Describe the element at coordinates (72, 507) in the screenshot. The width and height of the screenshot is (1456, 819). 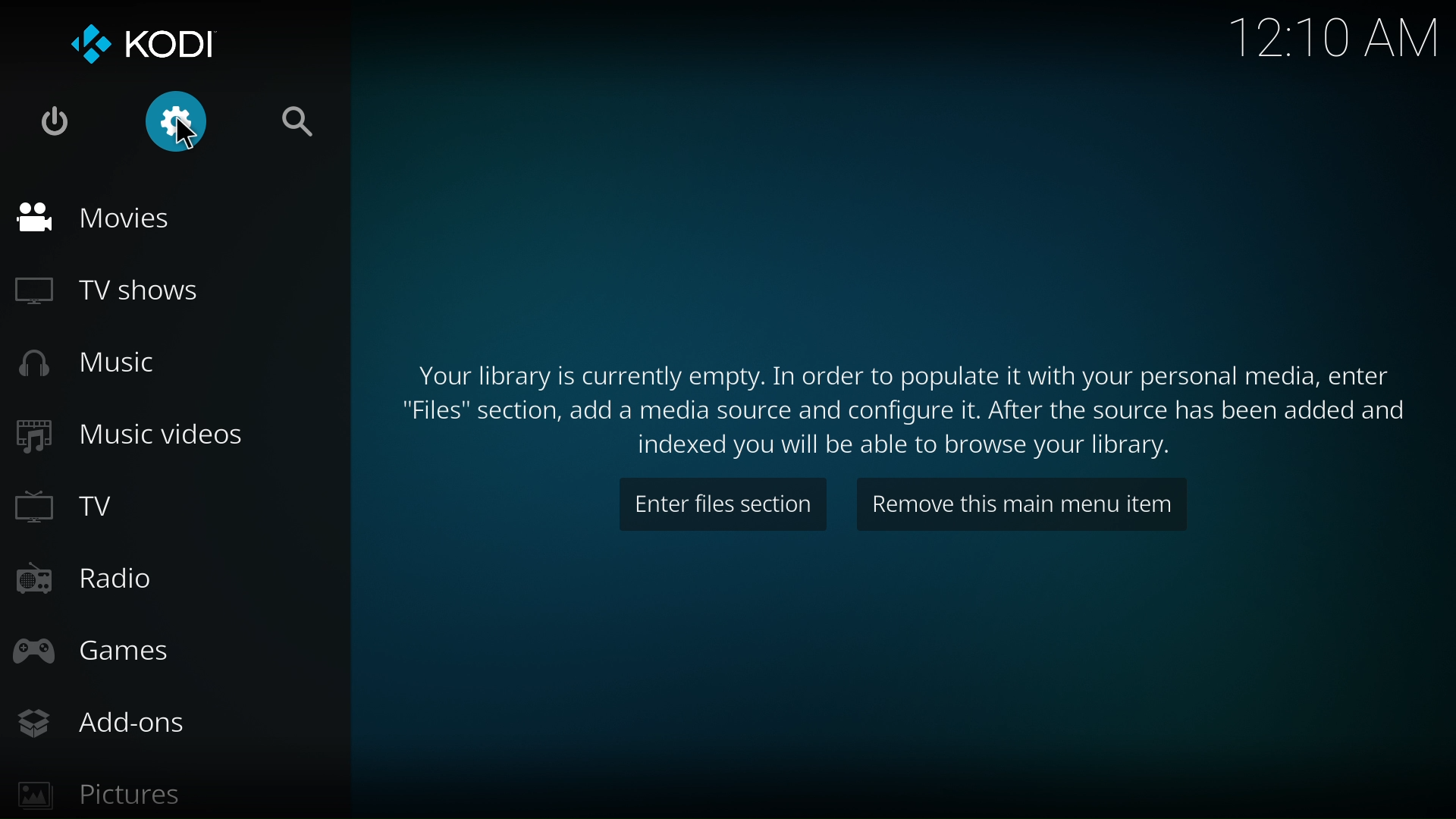
I see `tv` at that location.